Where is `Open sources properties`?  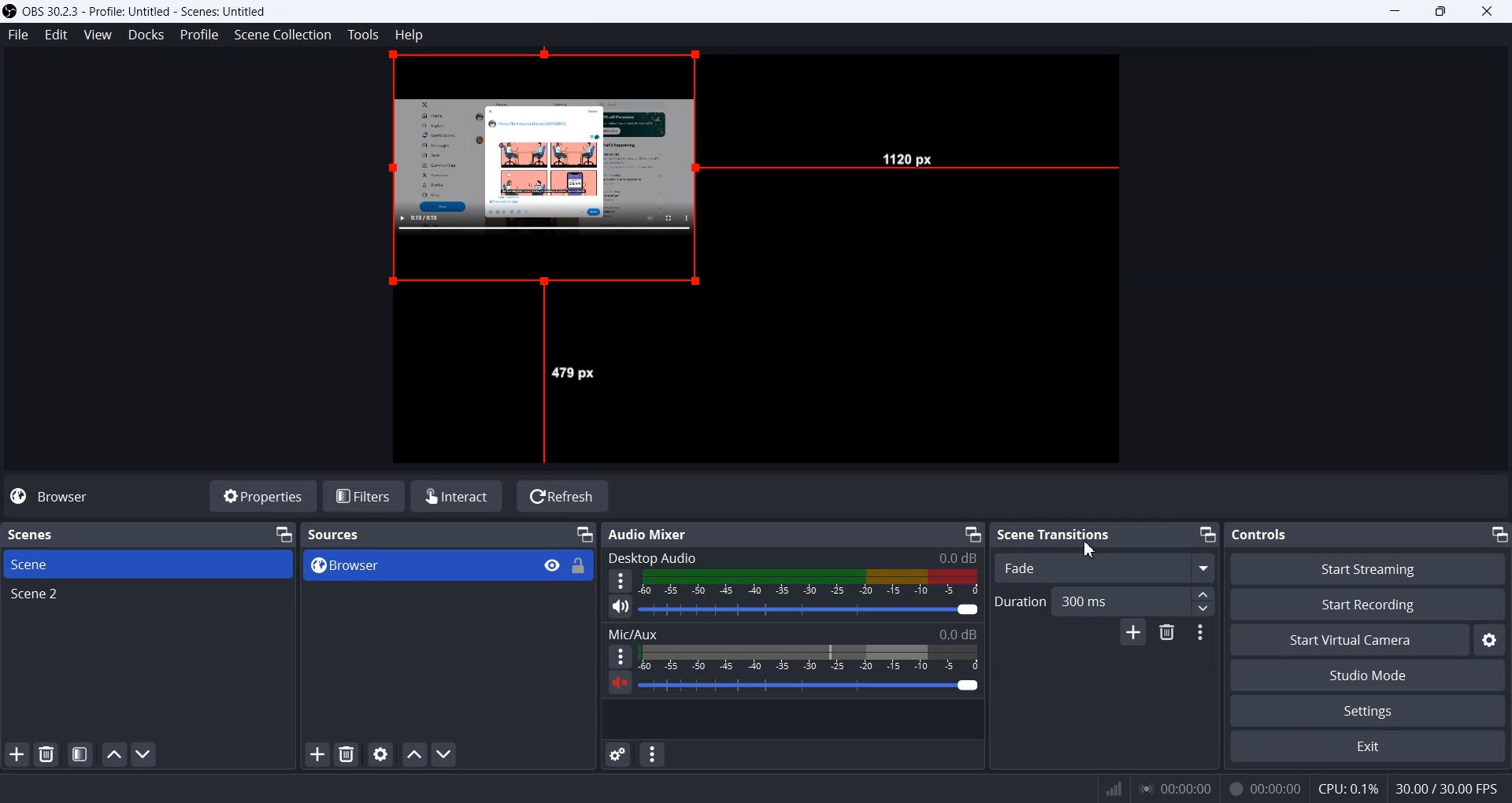 Open sources properties is located at coordinates (380, 755).